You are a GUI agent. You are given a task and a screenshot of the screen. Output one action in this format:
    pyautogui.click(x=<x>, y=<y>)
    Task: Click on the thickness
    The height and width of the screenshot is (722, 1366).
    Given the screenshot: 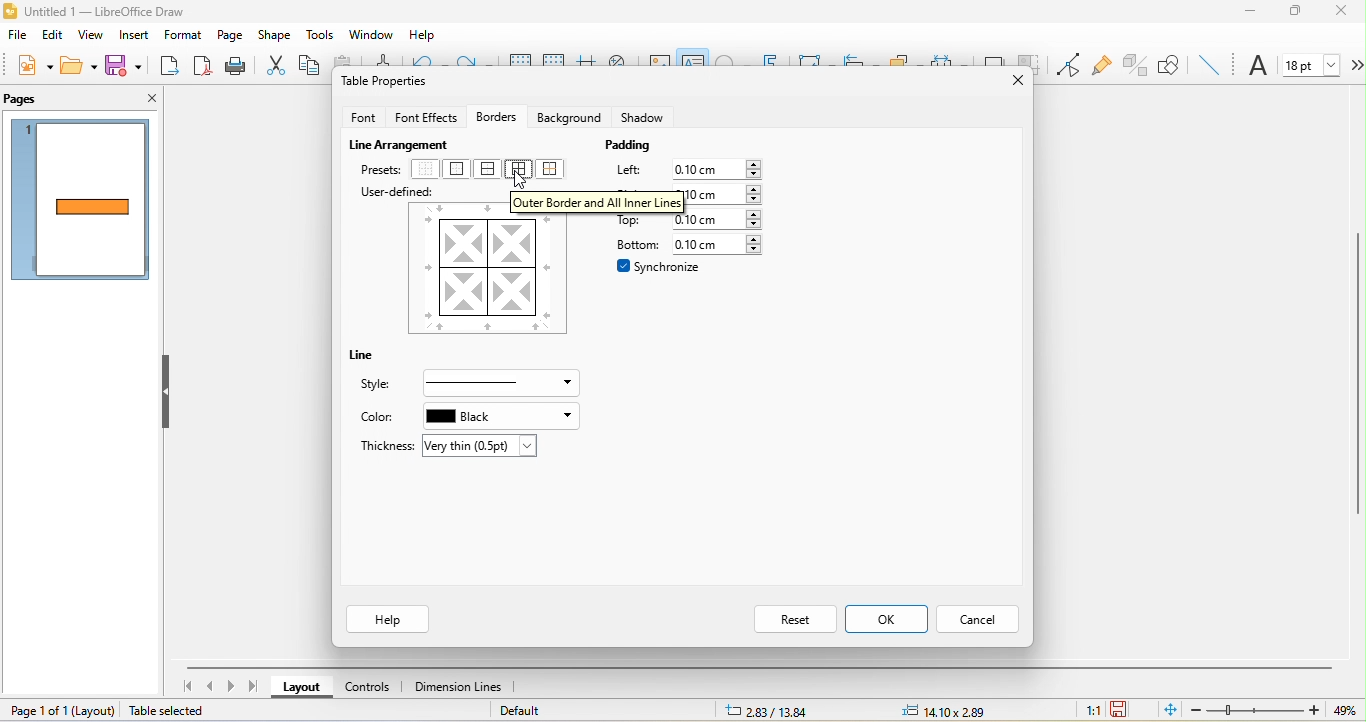 What is the action you would take?
    pyautogui.click(x=382, y=444)
    